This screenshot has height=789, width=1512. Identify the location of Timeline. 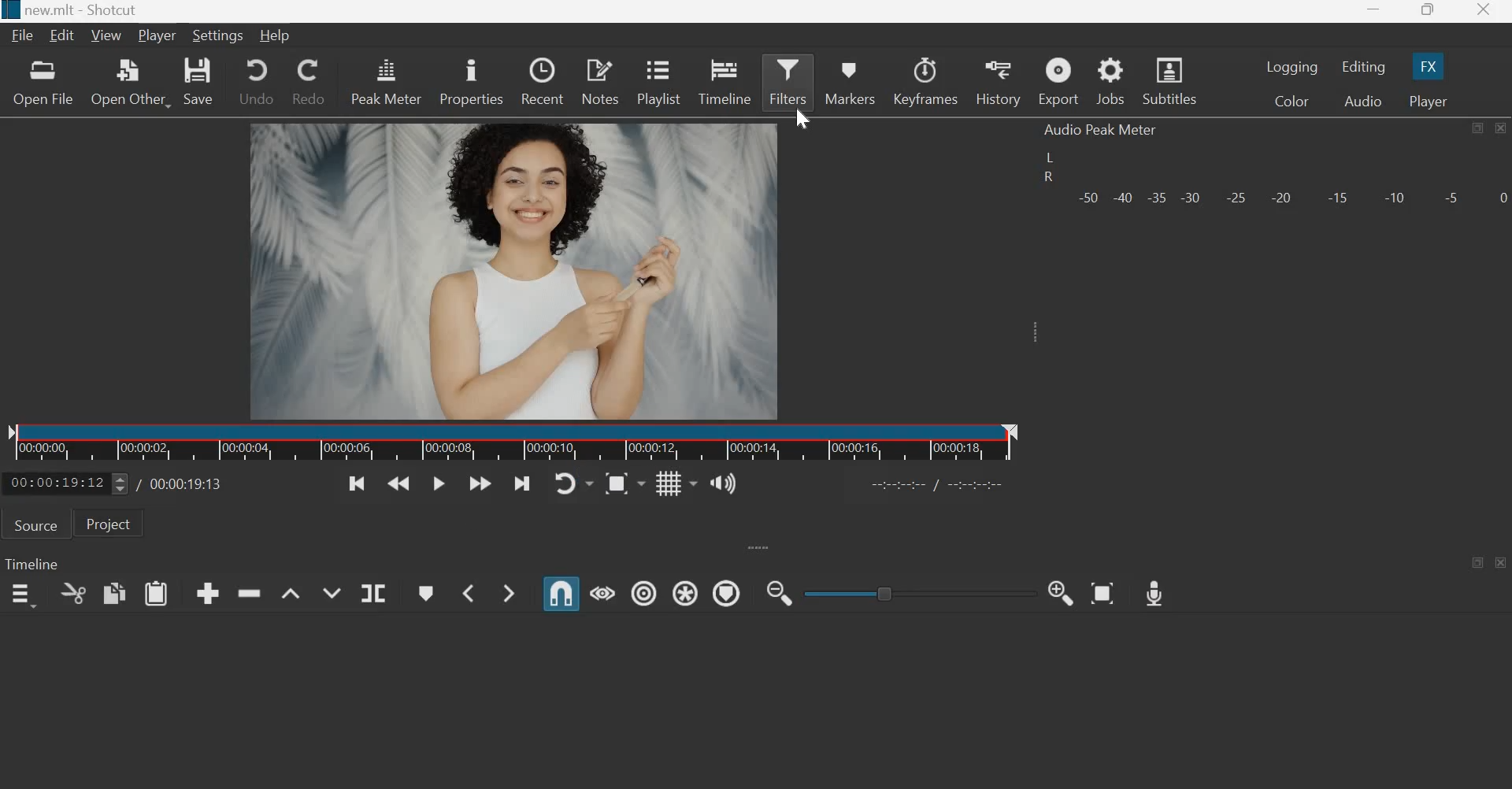
(32, 563).